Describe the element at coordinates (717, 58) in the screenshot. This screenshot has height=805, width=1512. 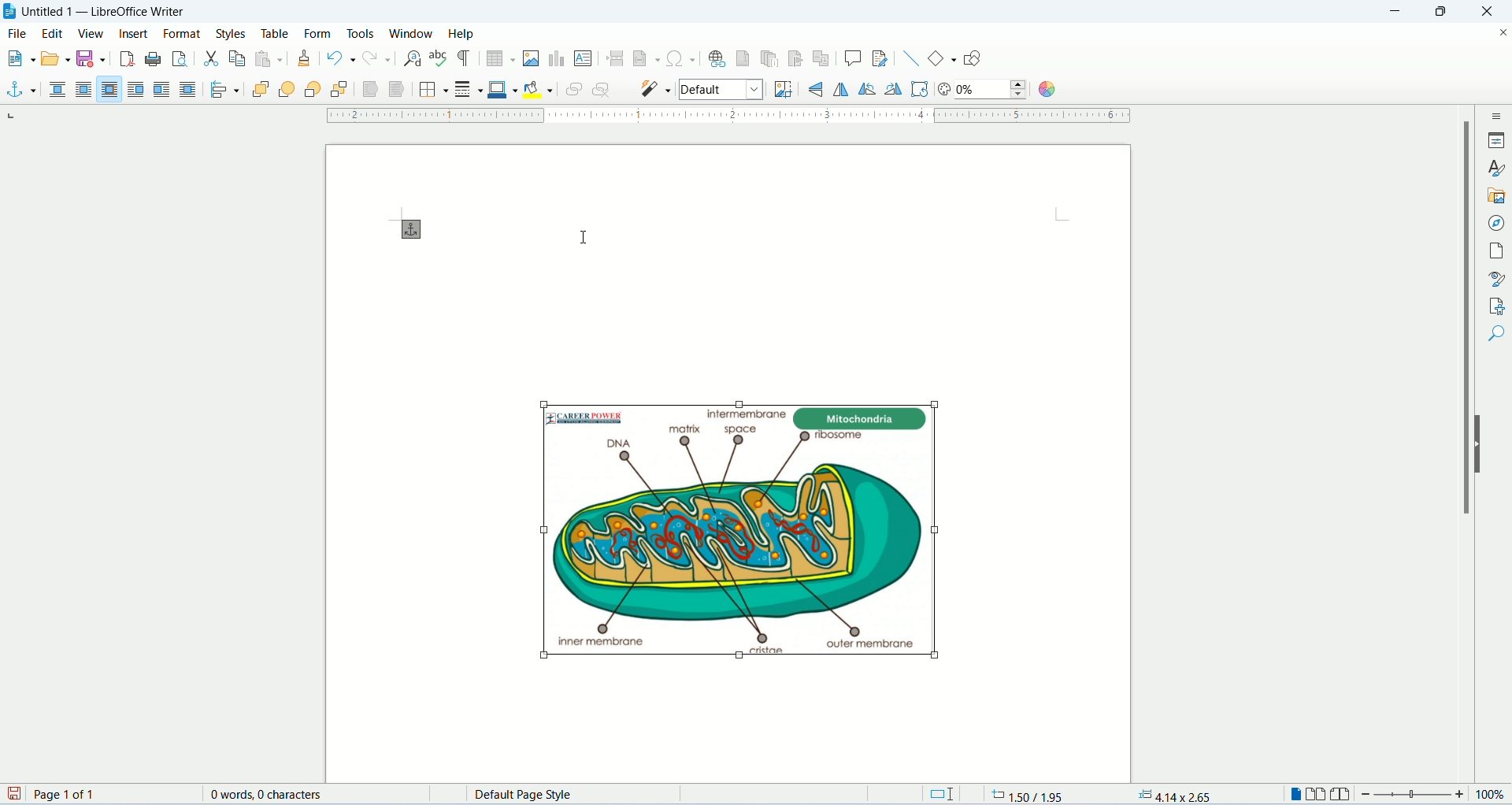
I see `insert hyper link` at that location.